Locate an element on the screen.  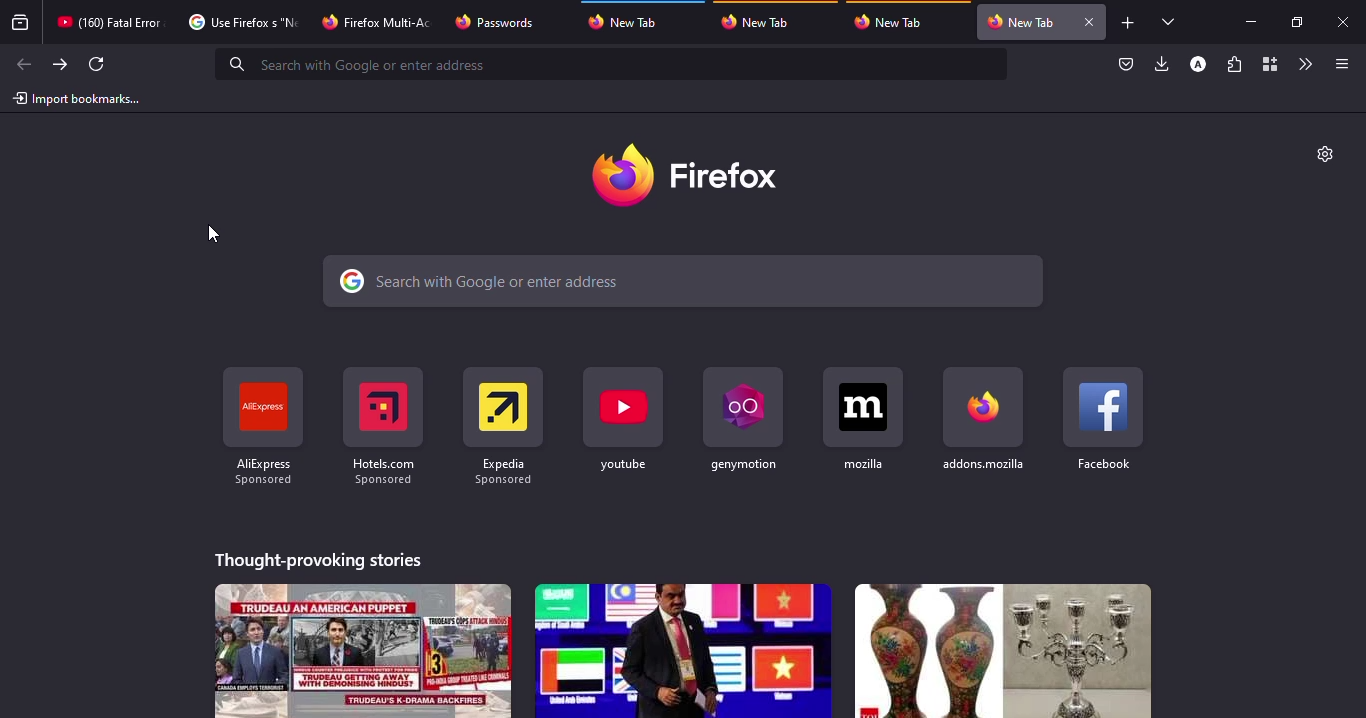
stories is located at coordinates (1004, 651).